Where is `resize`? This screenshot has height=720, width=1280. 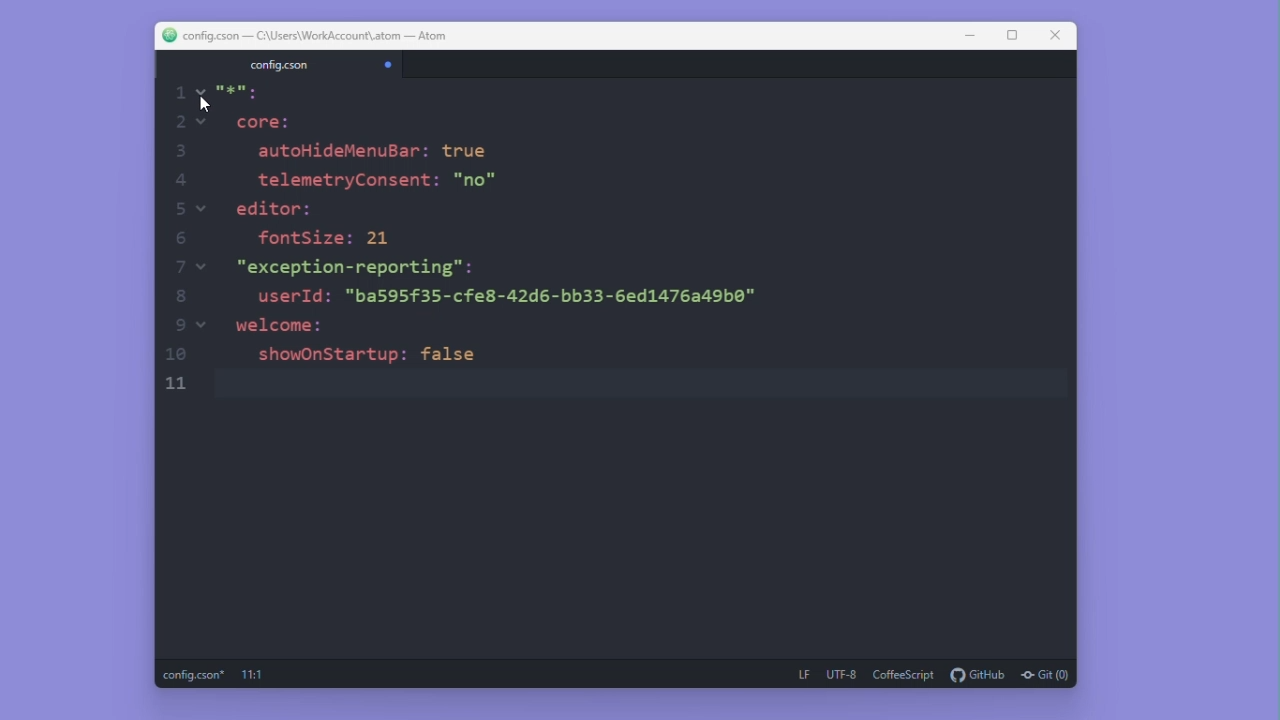
resize is located at coordinates (1012, 38).